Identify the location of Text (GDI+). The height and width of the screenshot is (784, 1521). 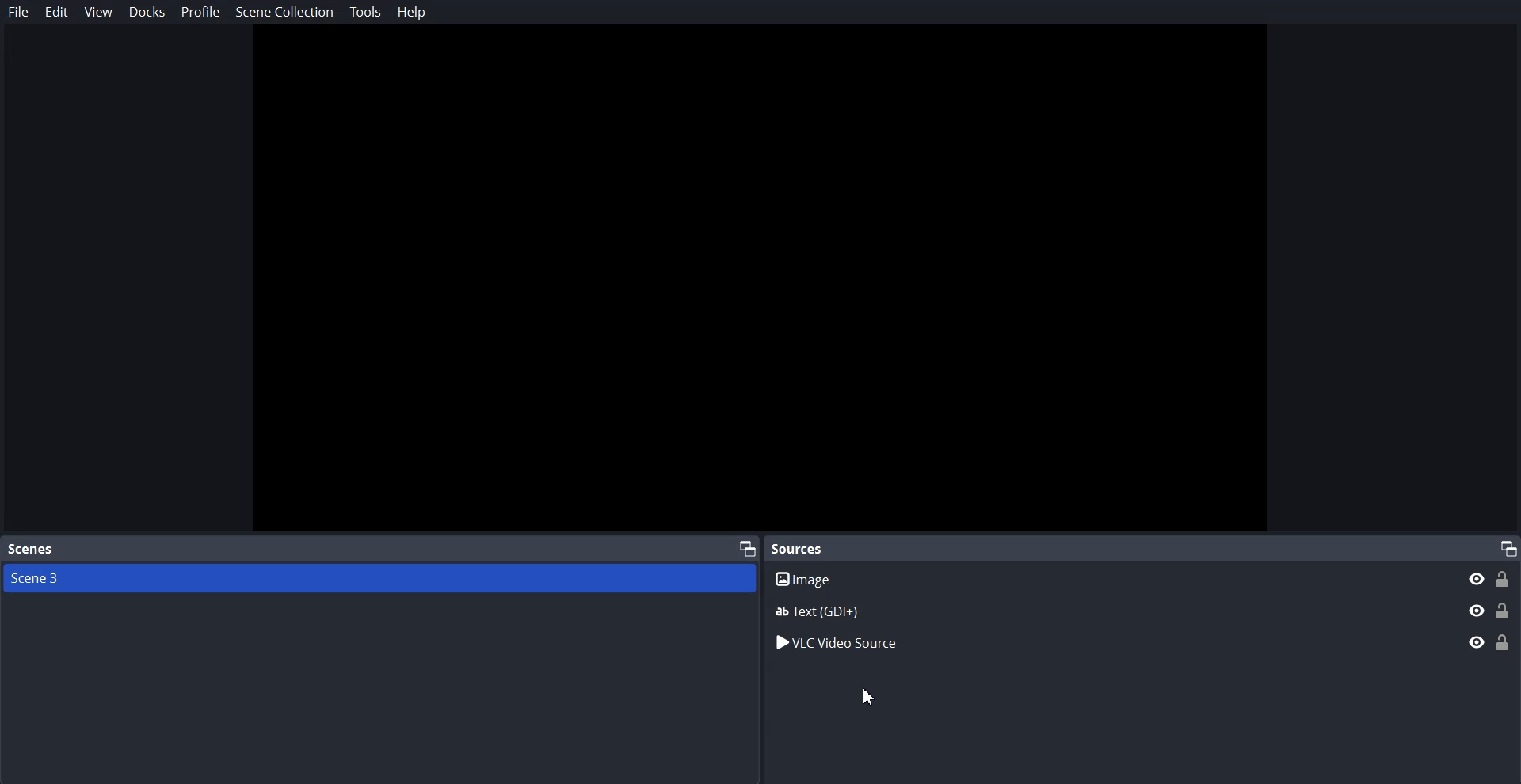
(1143, 611).